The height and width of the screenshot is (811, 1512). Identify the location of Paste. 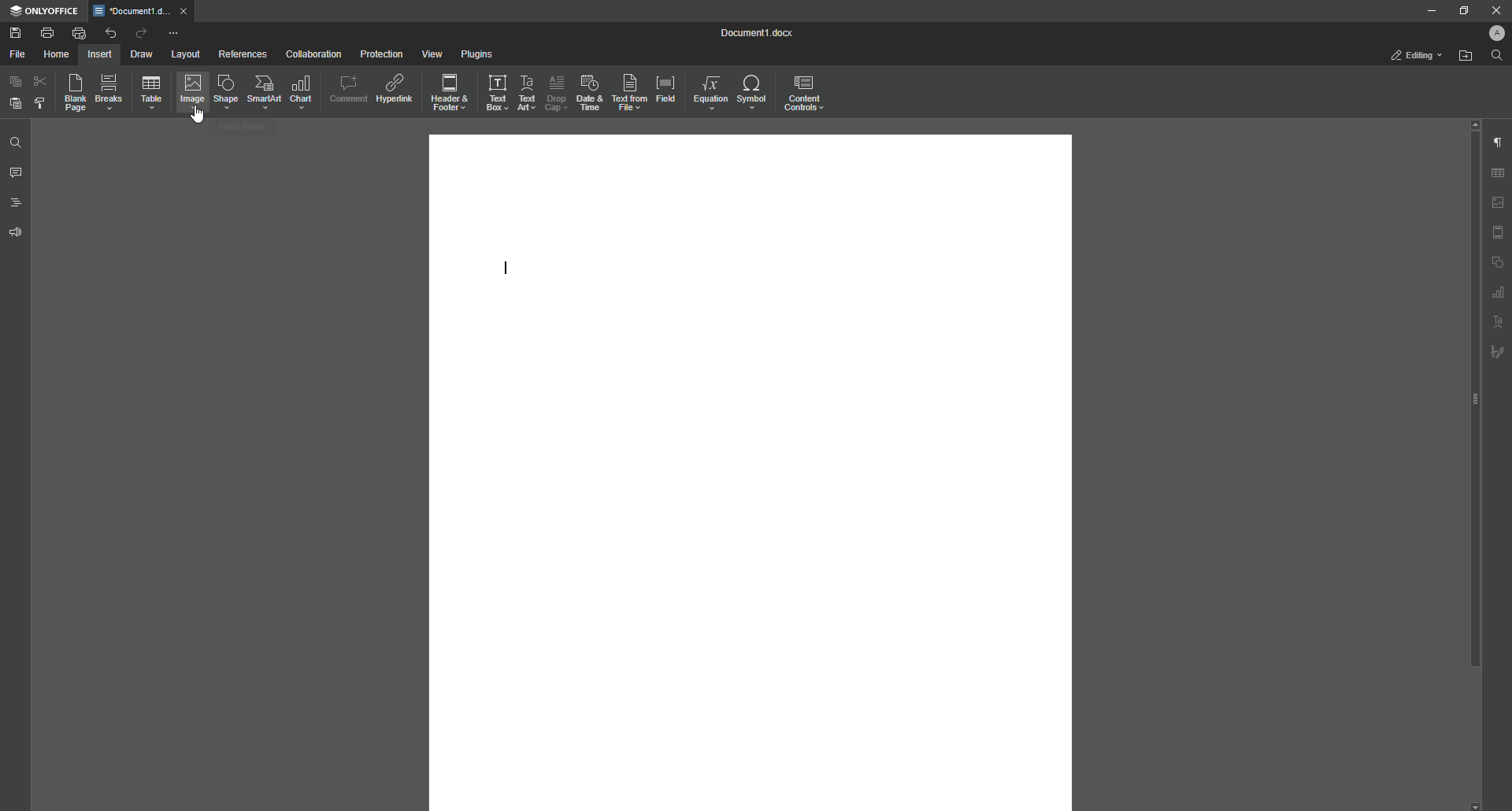
(15, 103).